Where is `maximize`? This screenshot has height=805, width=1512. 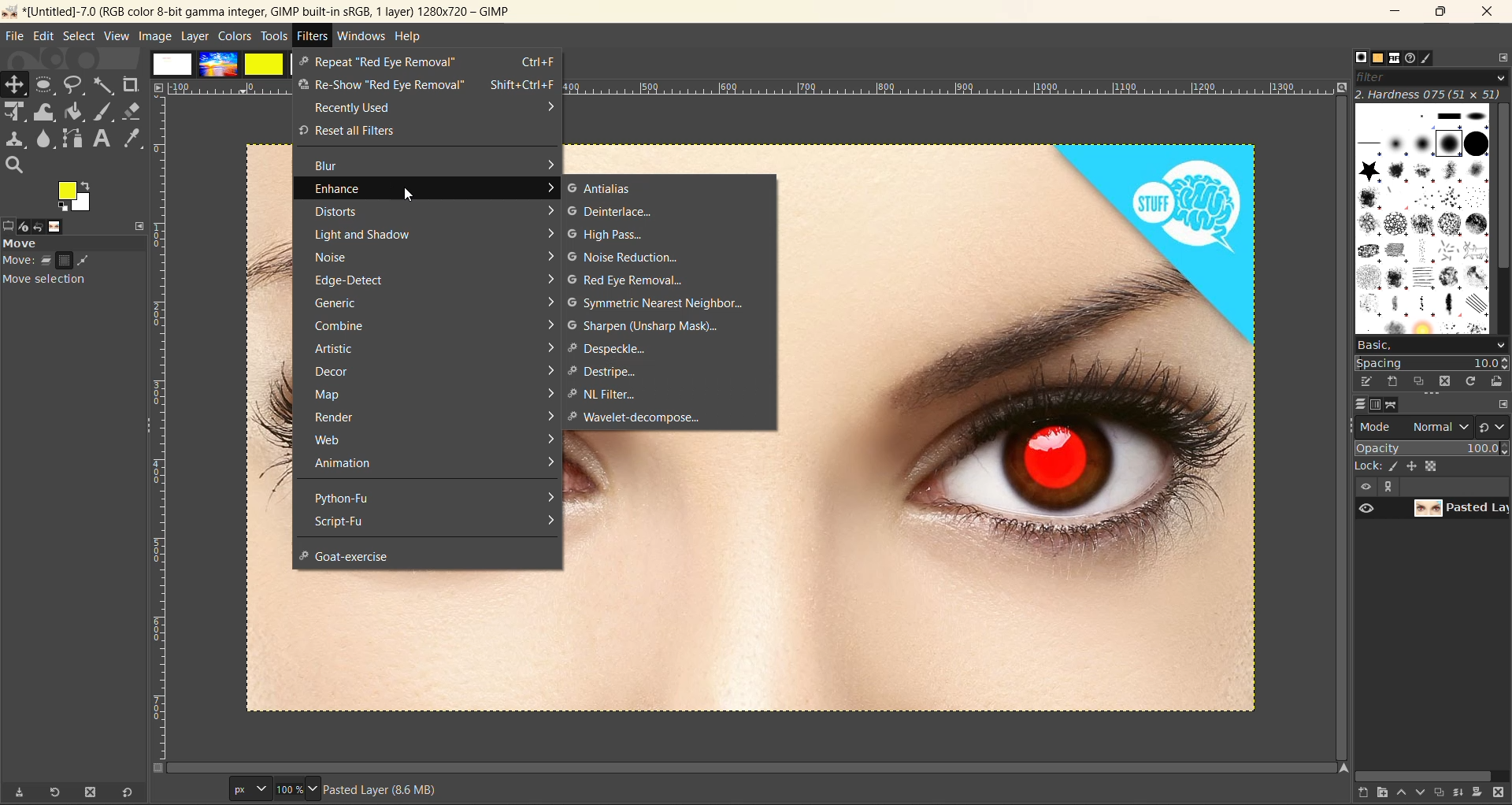
maximize is located at coordinates (1440, 15).